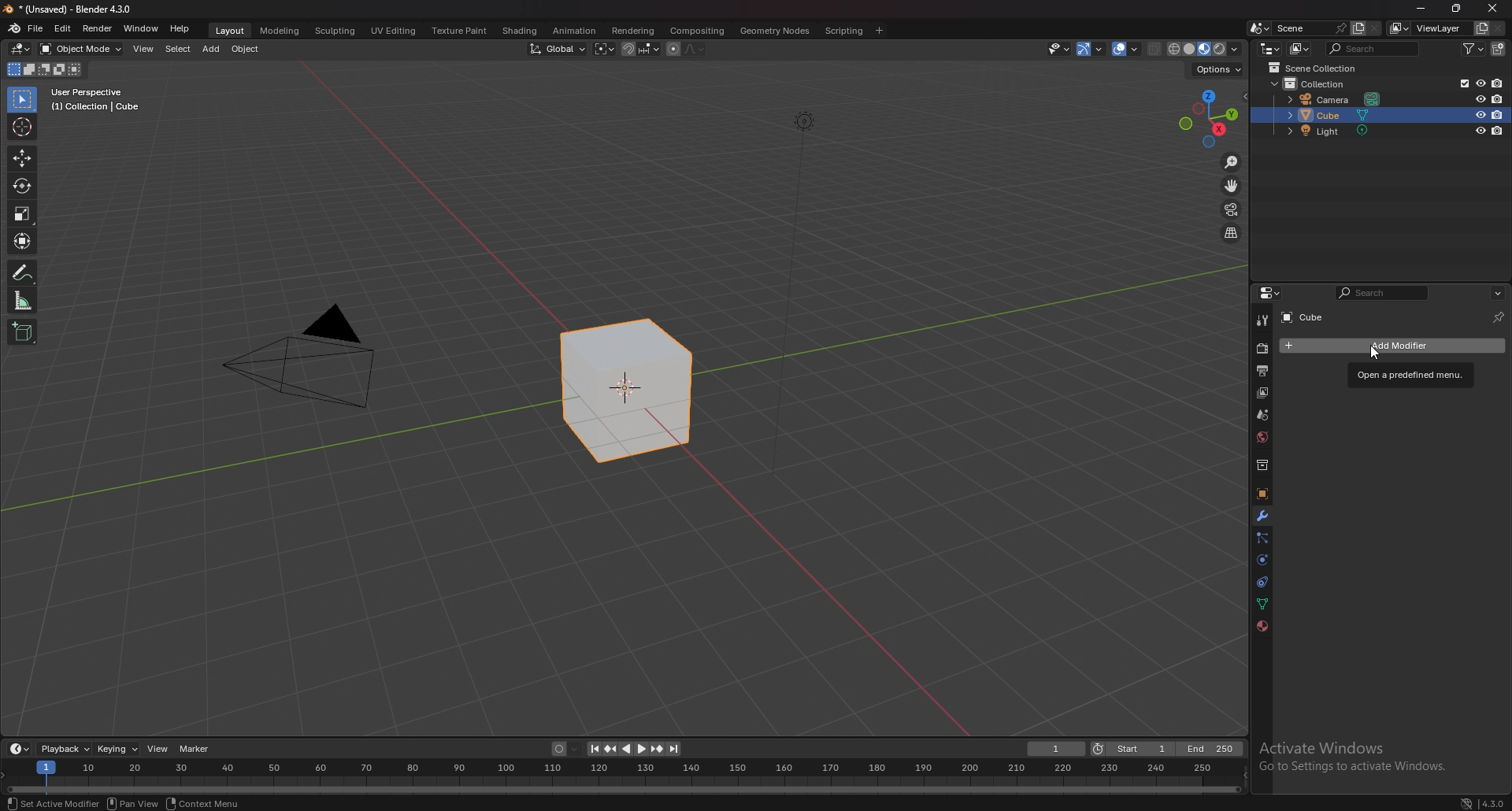 The width and height of the screenshot is (1512, 811). Describe the element at coordinates (1205, 48) in the screenshot. I see `viewport shading` at that location.